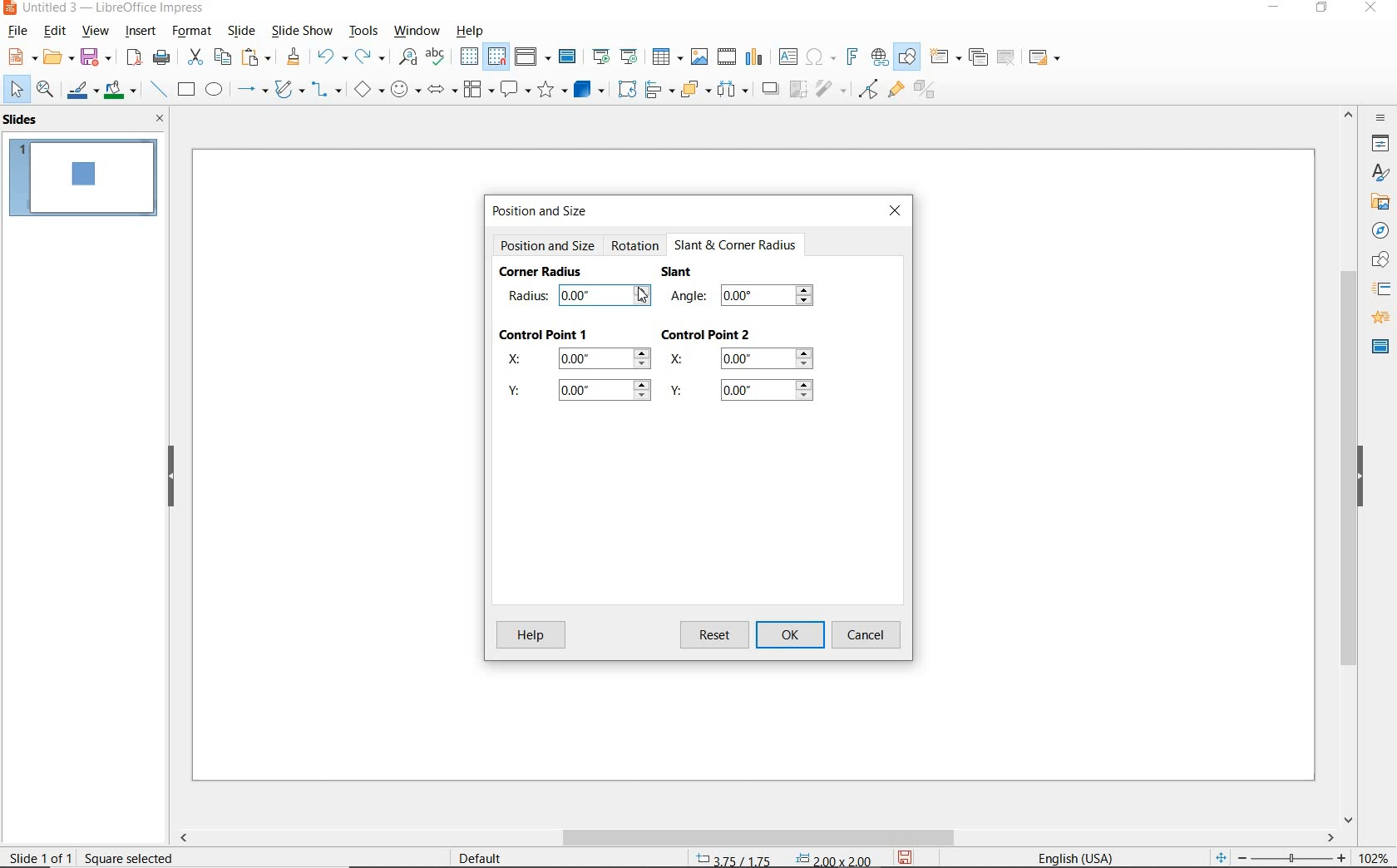 The width and height of the screenshot is (1397, 868). What do you see at coordinates (484, 857) in the screenshot?
I see `default` at bounding box center [484, 857].